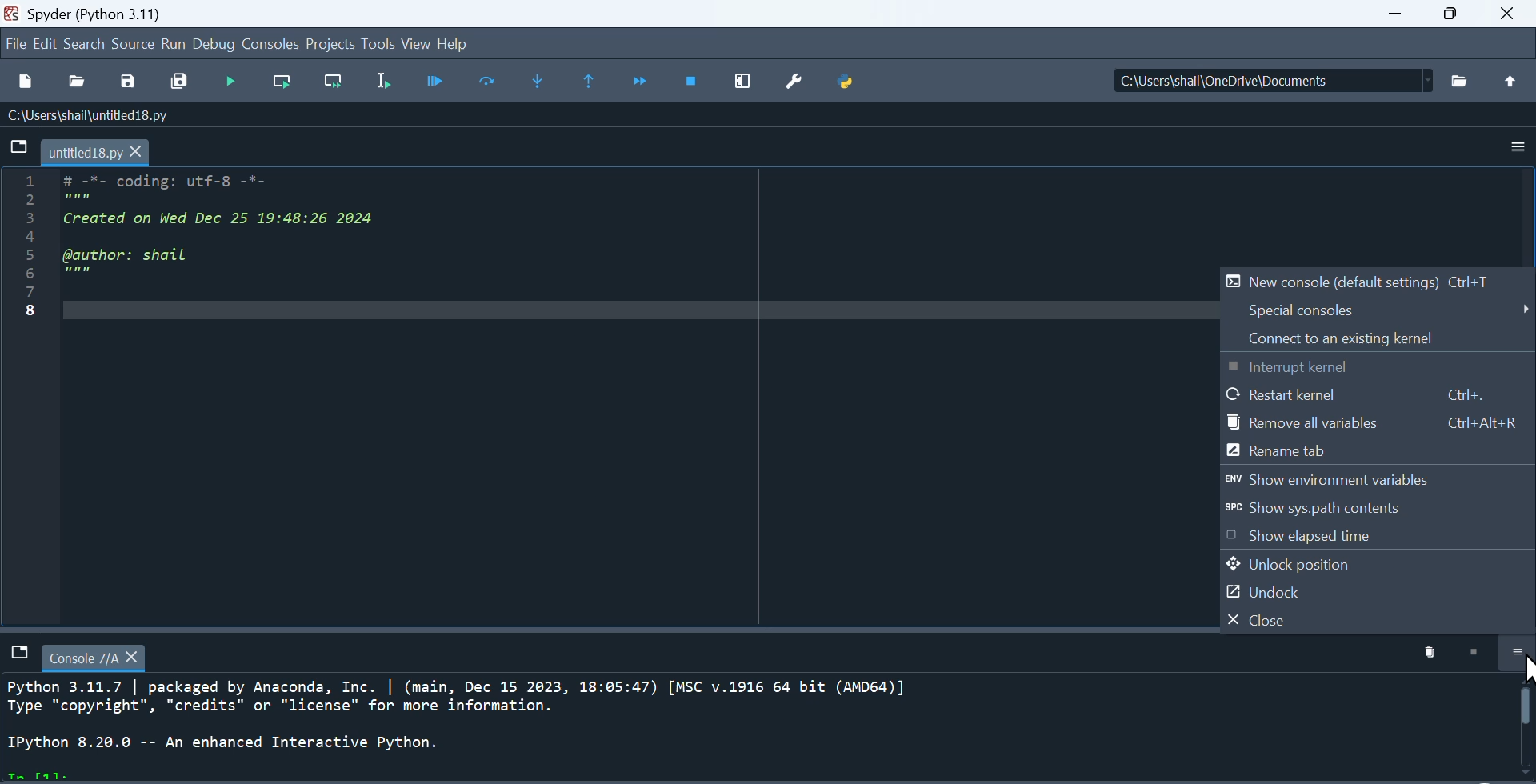 The height and width of the screenshot is (784, 1536). I want to click on maximize, so click(1450, 14).